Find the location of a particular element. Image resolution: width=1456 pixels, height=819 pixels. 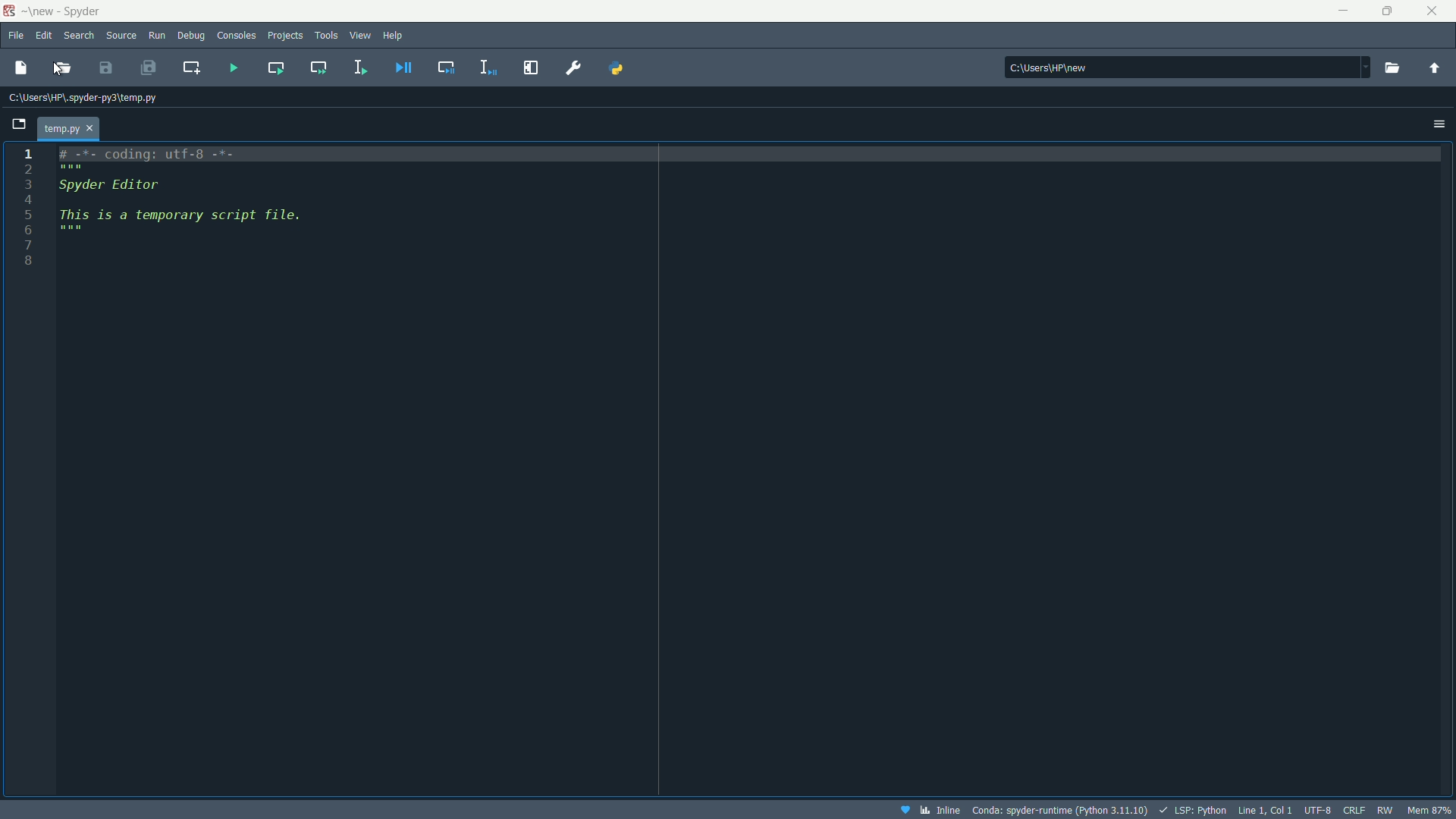

maximize is located at coordinates (1389, 12).